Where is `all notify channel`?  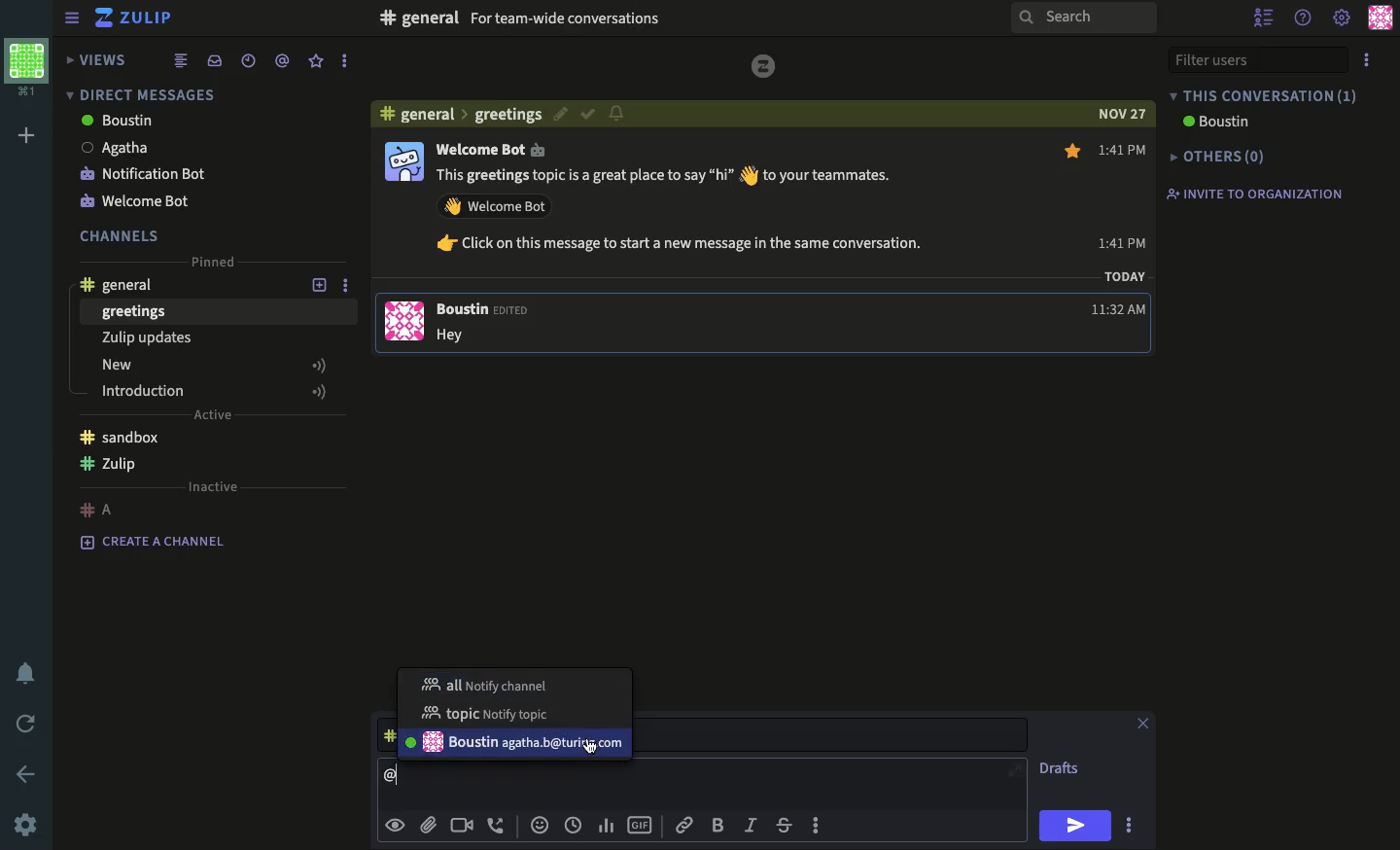 all notify channel is located at coordinates (485, 683).